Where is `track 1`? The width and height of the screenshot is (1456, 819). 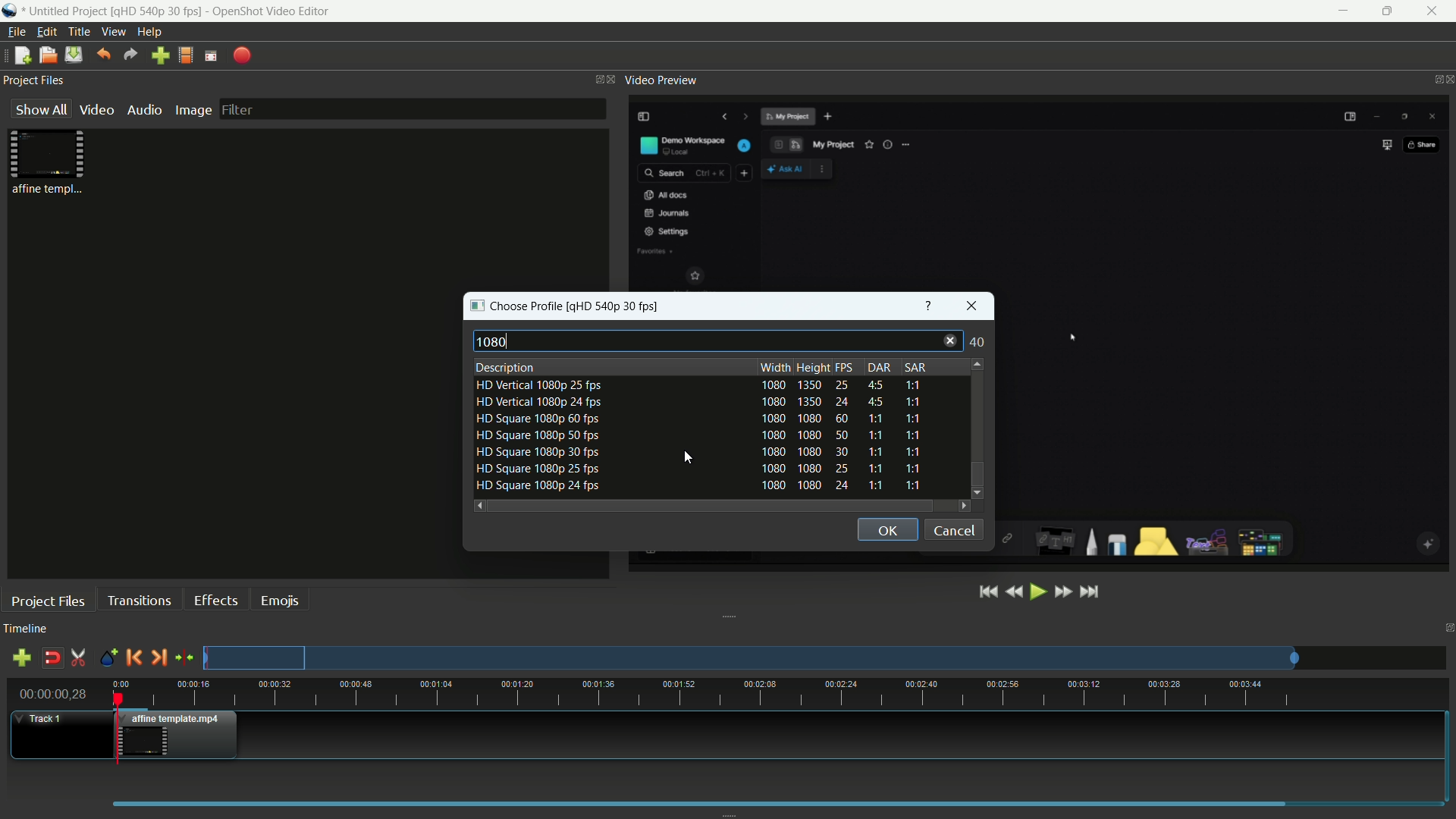
track 1 is located at coordinates (42, 719).